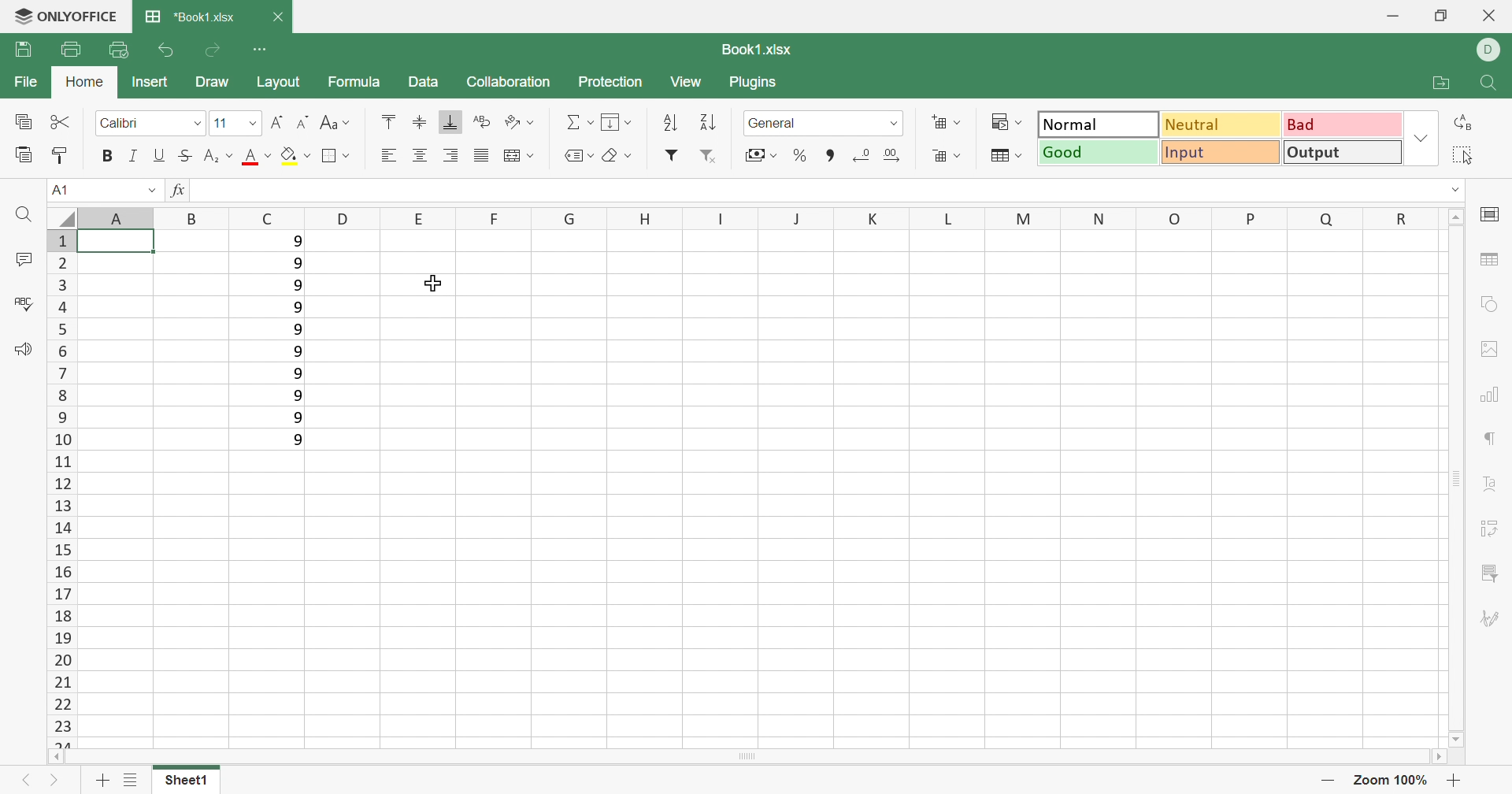 The height and width of the screenshot is (794, 1512). I want to click on Pivot table settings, so click(1490, 530).